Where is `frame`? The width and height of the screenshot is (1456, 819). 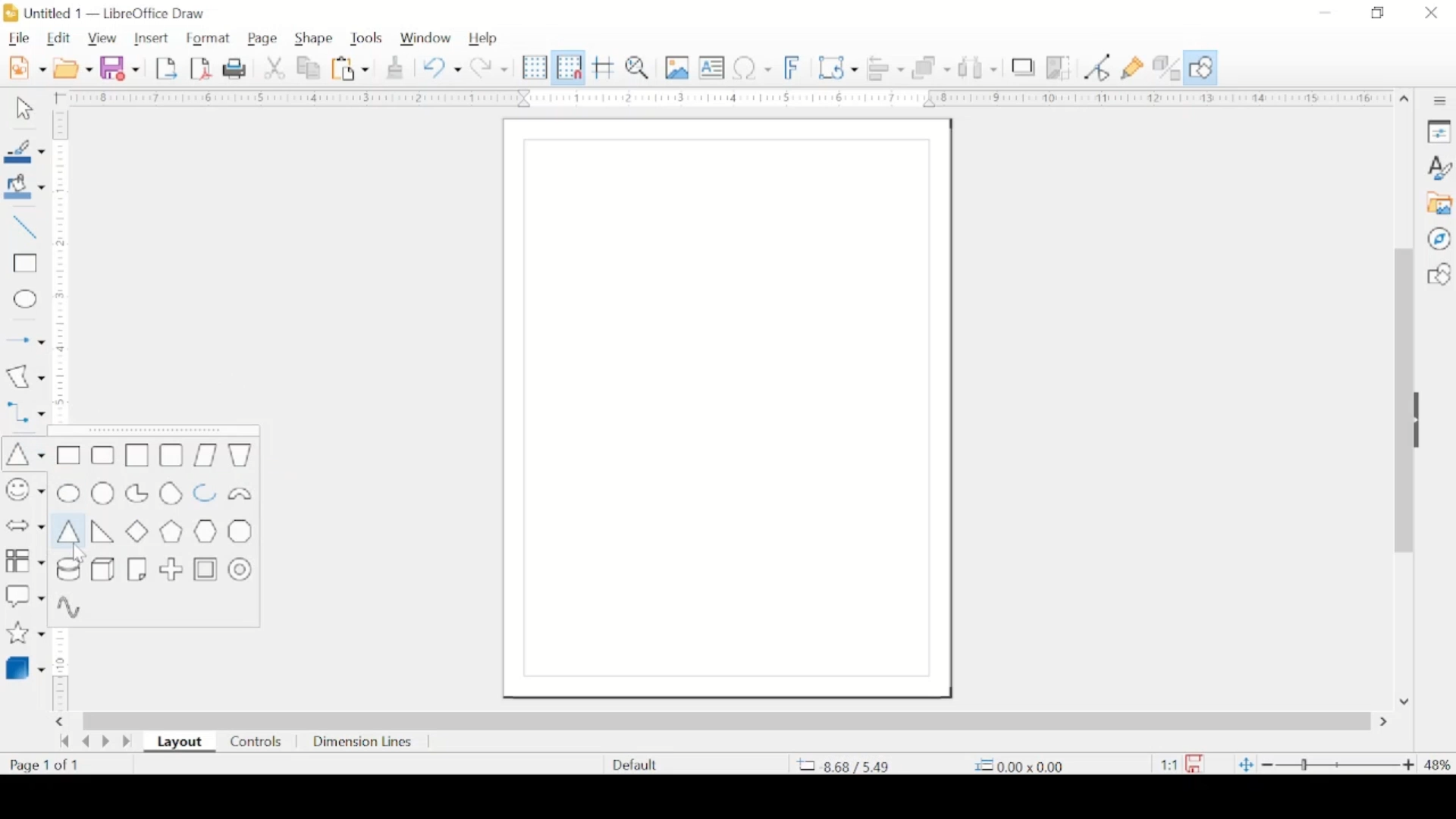 frame is located at coordinates (206, 570).